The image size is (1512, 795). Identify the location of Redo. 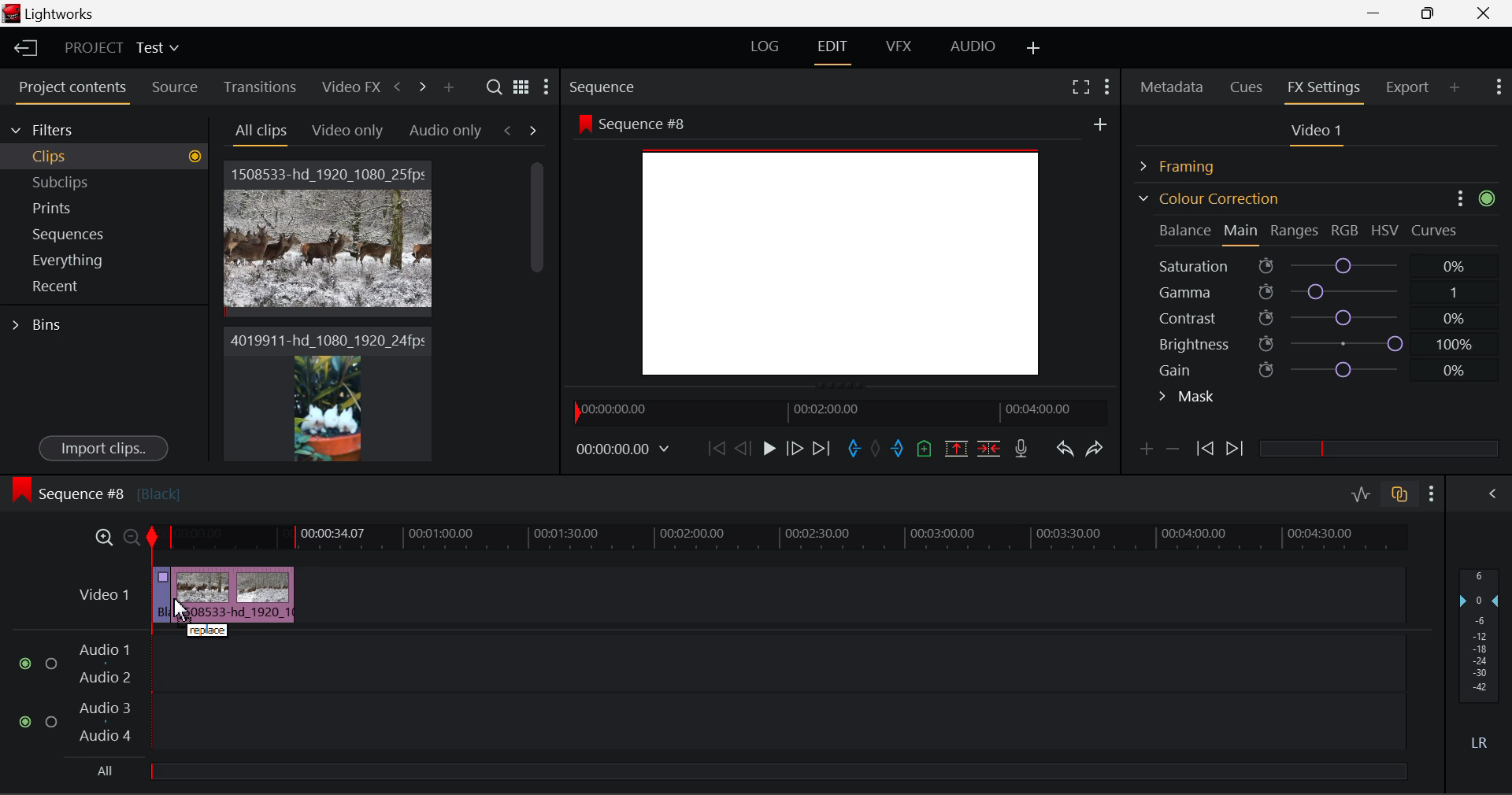
(1095, 448).